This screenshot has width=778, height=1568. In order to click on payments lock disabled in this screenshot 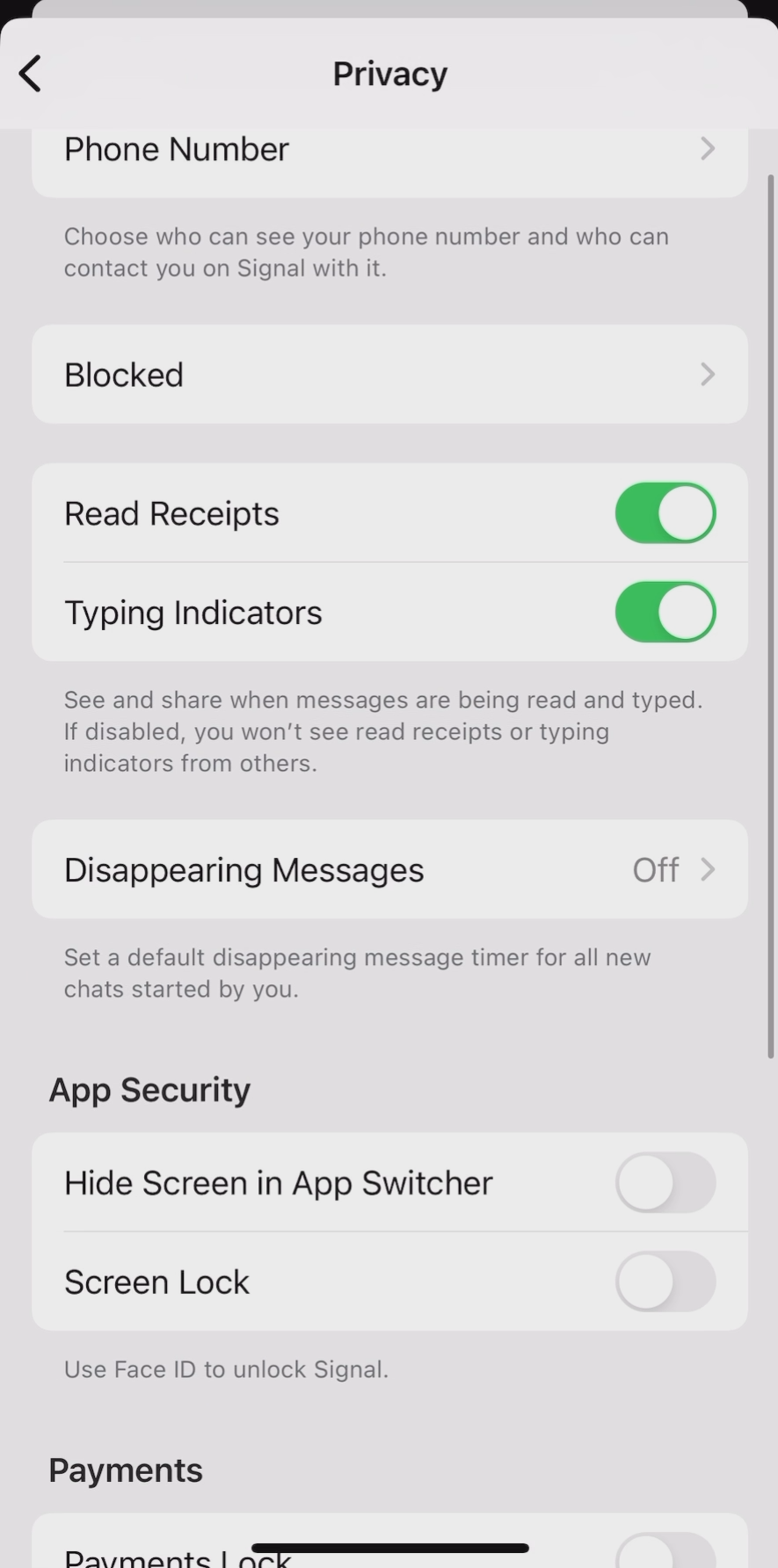, I will do `click(398, 1543)`.